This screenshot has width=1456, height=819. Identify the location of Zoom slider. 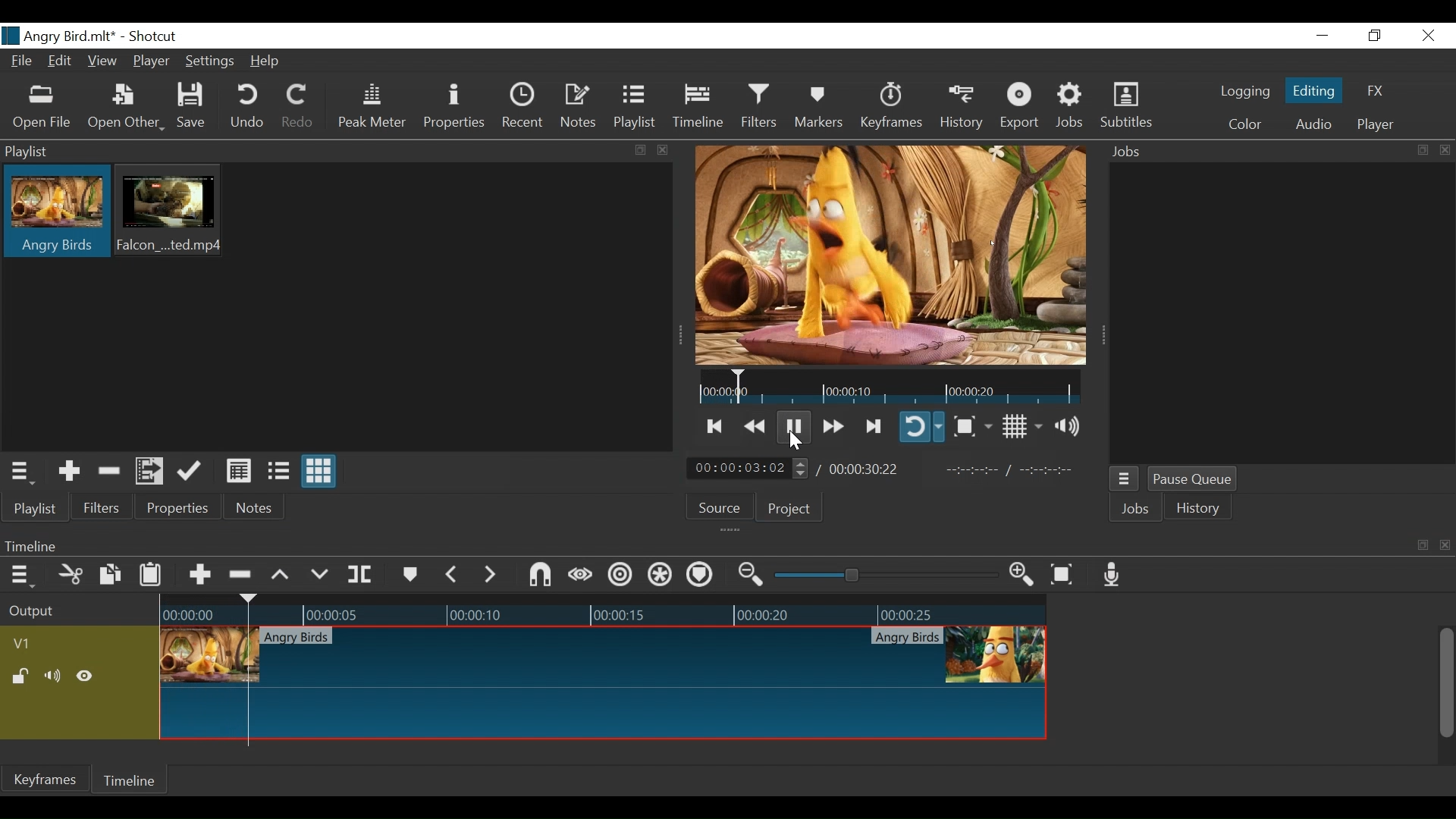
(883, 577).